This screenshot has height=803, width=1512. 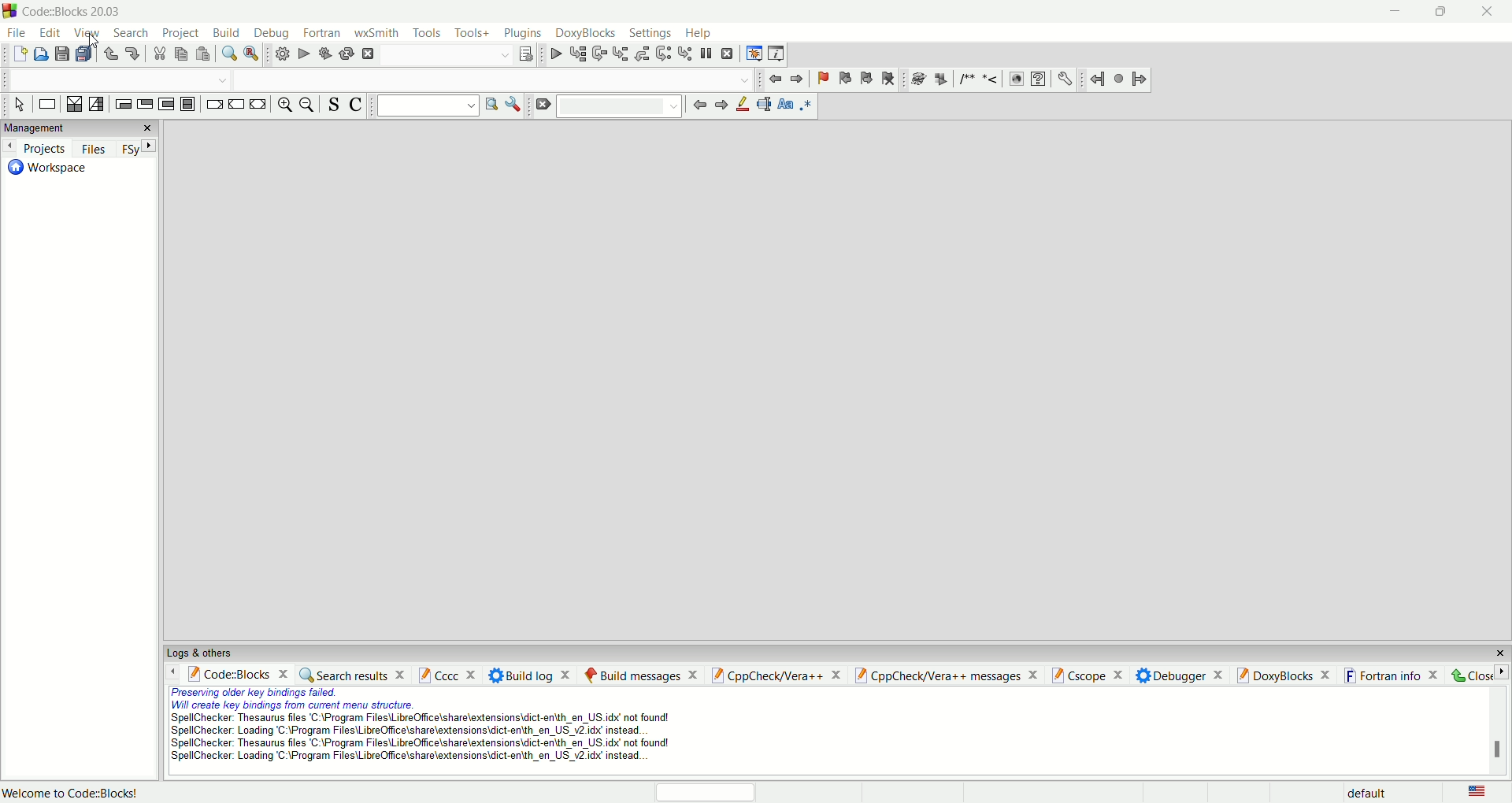 What do you see at coordinates (128, 32) in the screenshot?
I see `search` at bounding box center [128, 32].